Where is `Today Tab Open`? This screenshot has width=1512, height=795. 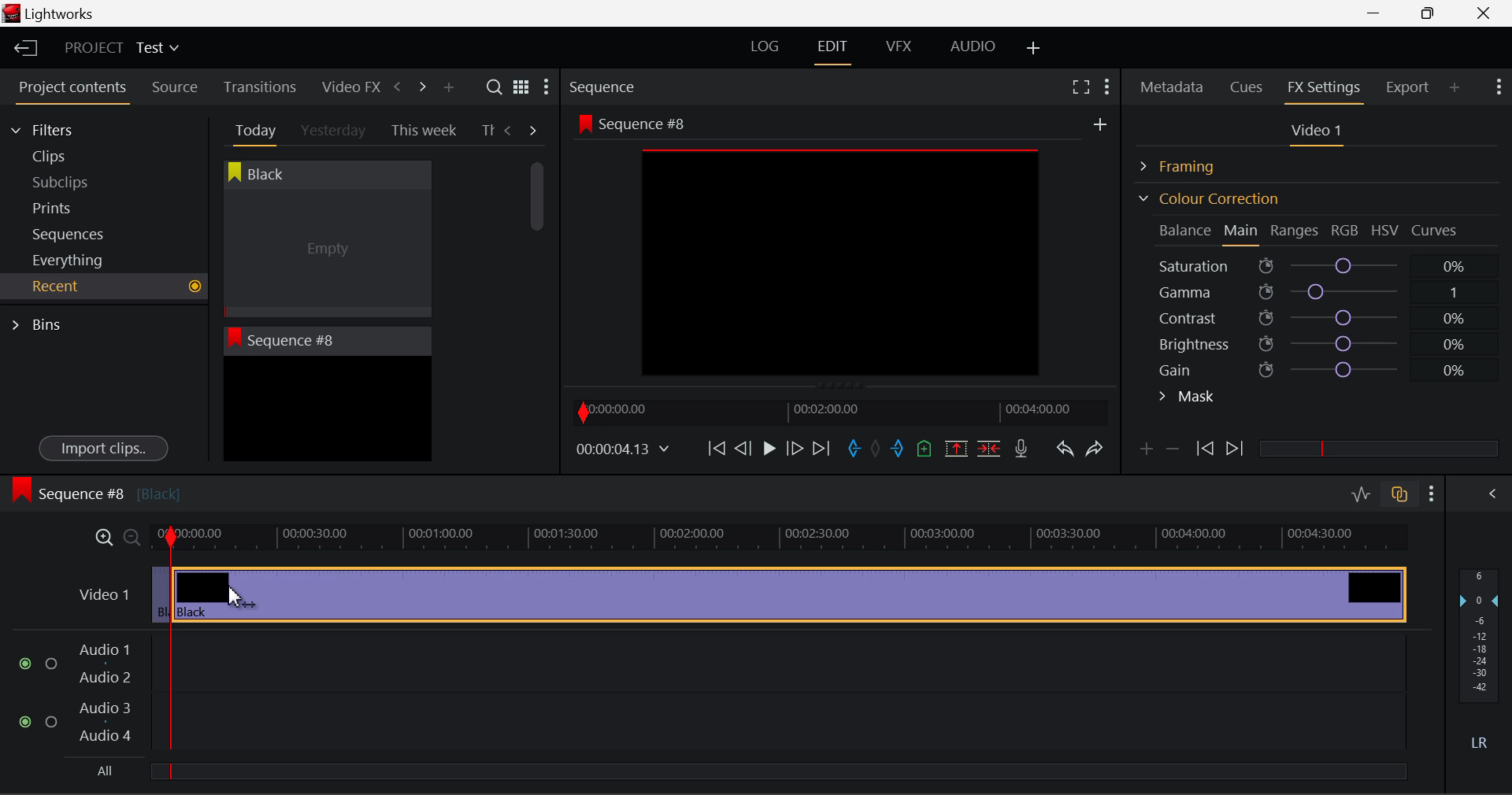
Today Tab Open is located at coordinates (252, 130).